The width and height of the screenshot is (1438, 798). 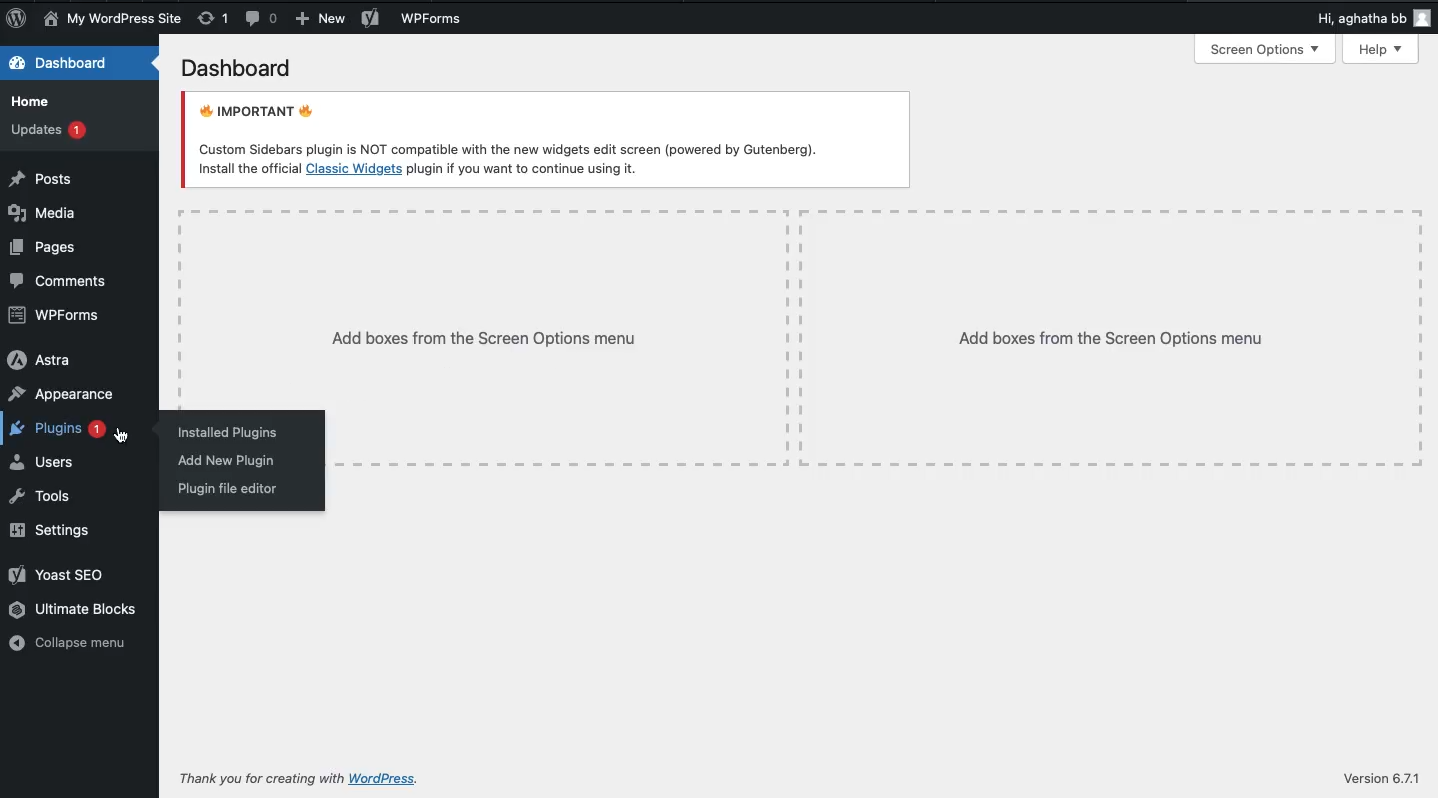 What do you see at coordinates (39, 362) in the screenshot?
I see `Astra` at bounding box center [39, 362].